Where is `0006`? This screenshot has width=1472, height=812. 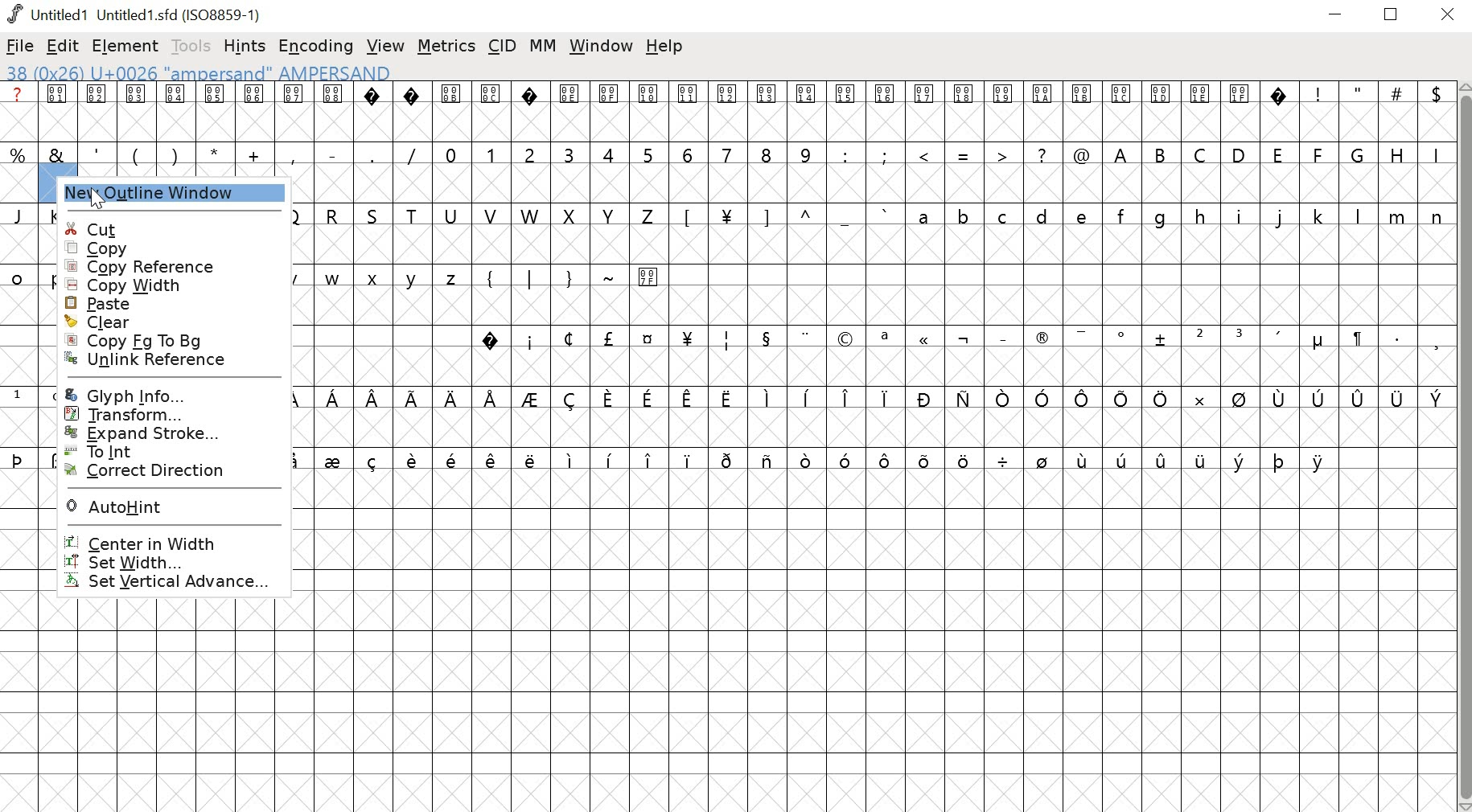 0006 is located at coordinates (255, 112).